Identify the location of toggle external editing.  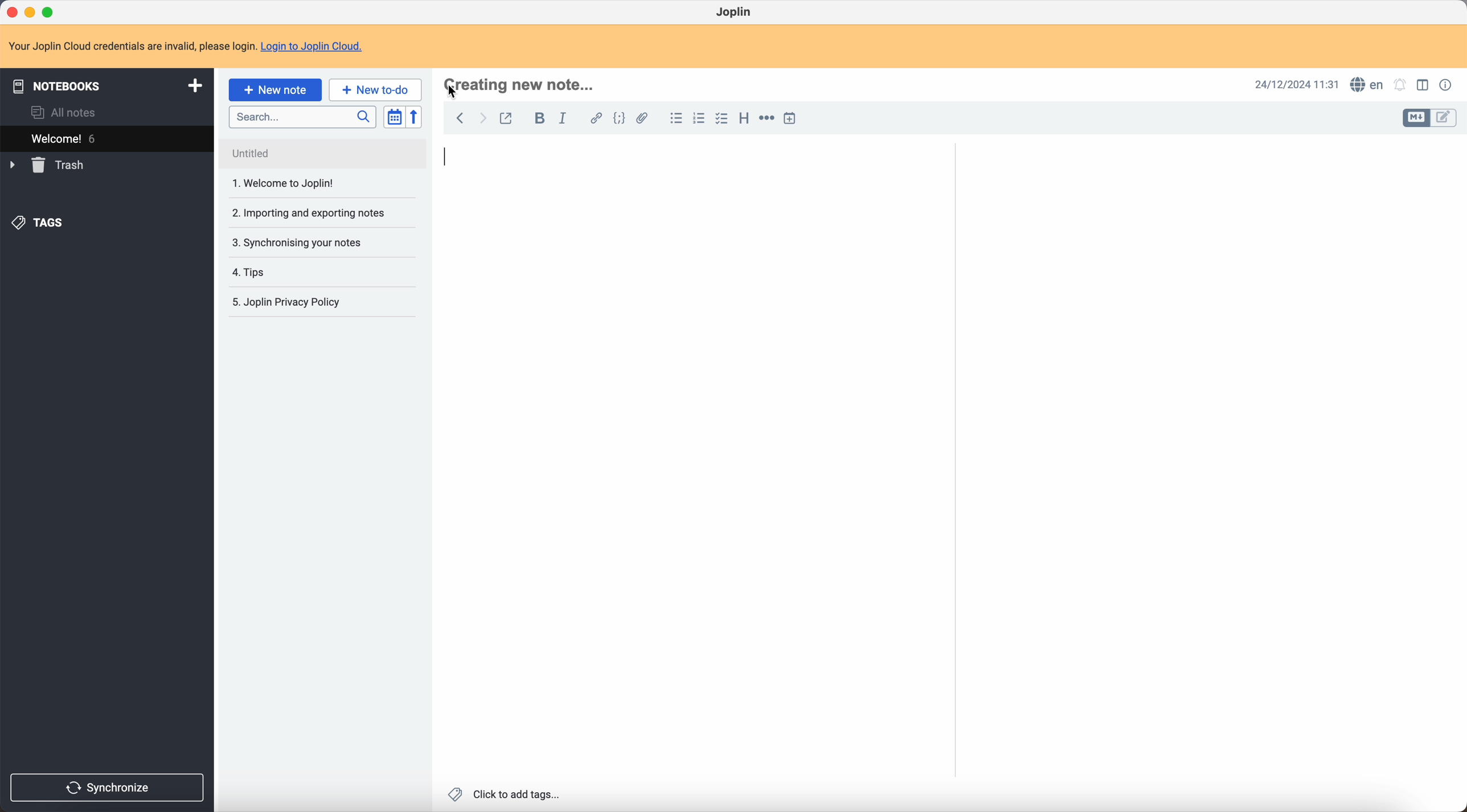
(509, 117).